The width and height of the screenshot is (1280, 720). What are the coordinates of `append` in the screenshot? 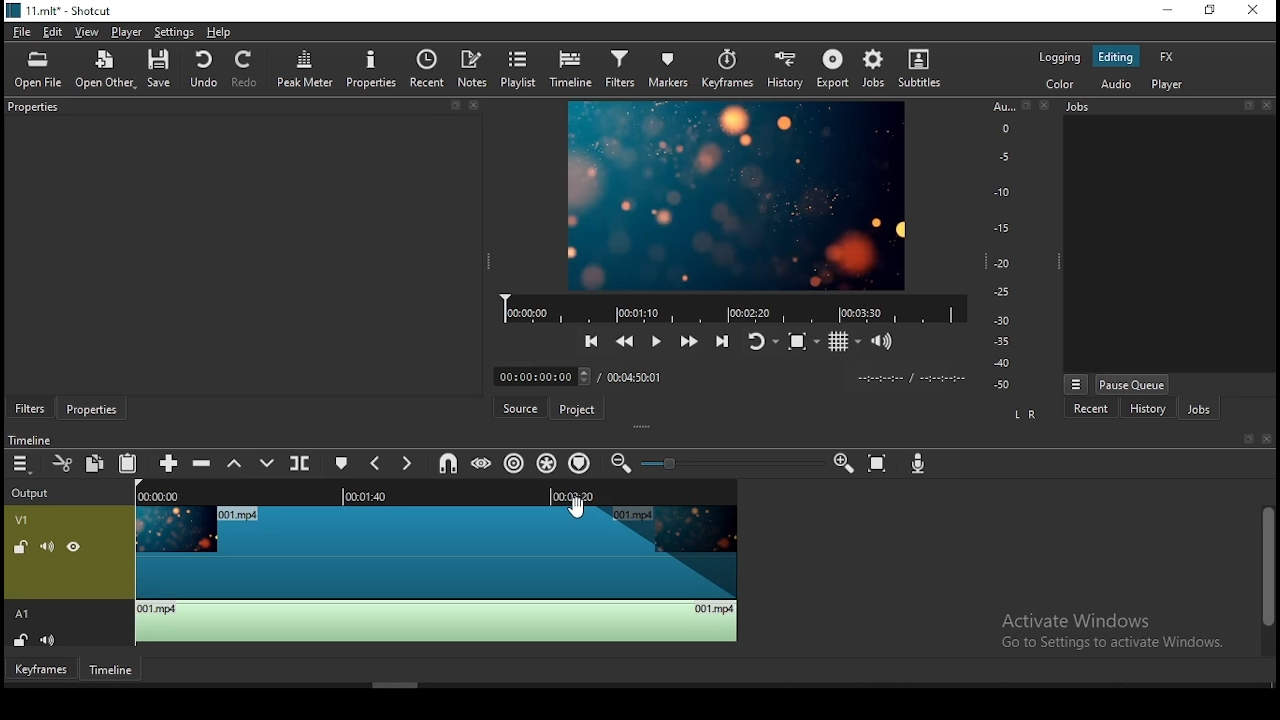 It's located at (169, 462).